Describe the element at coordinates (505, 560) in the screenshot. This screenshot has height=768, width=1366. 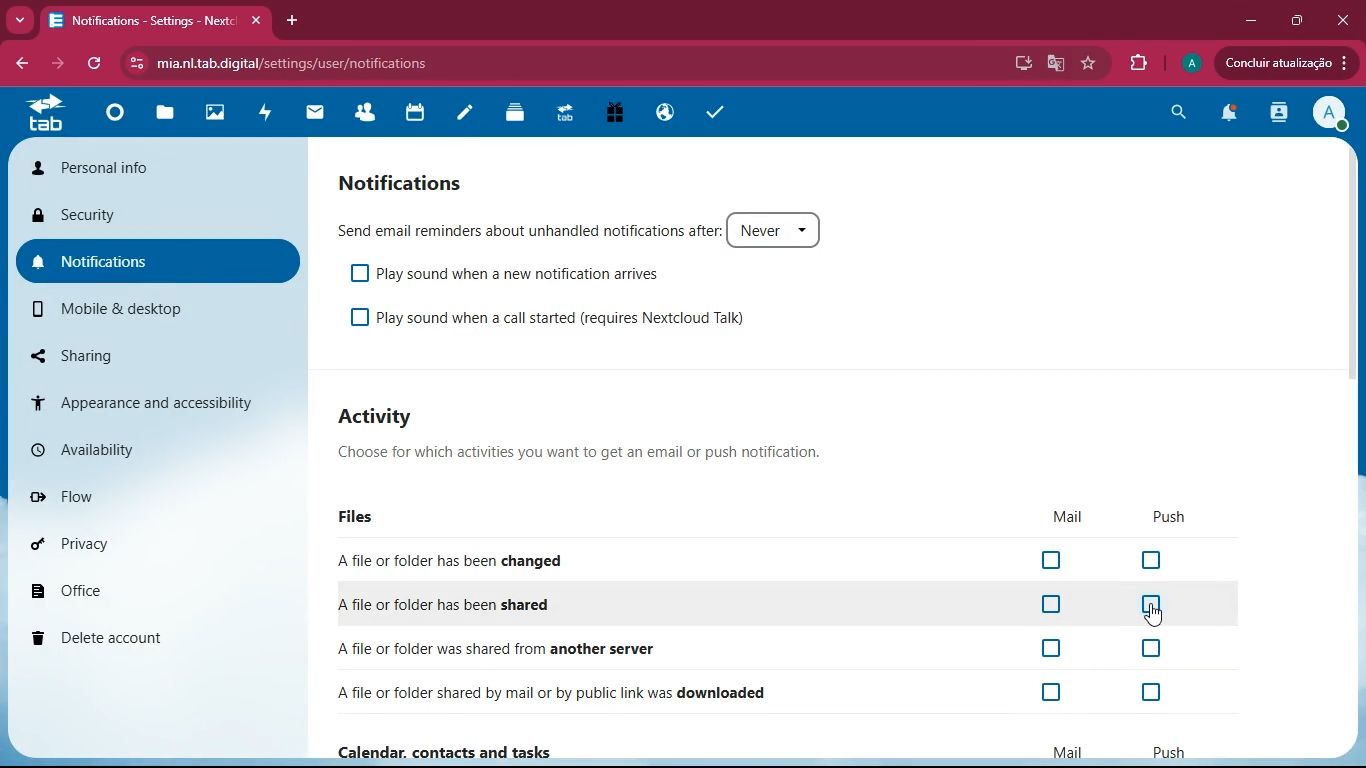
I see `changed` at that location.